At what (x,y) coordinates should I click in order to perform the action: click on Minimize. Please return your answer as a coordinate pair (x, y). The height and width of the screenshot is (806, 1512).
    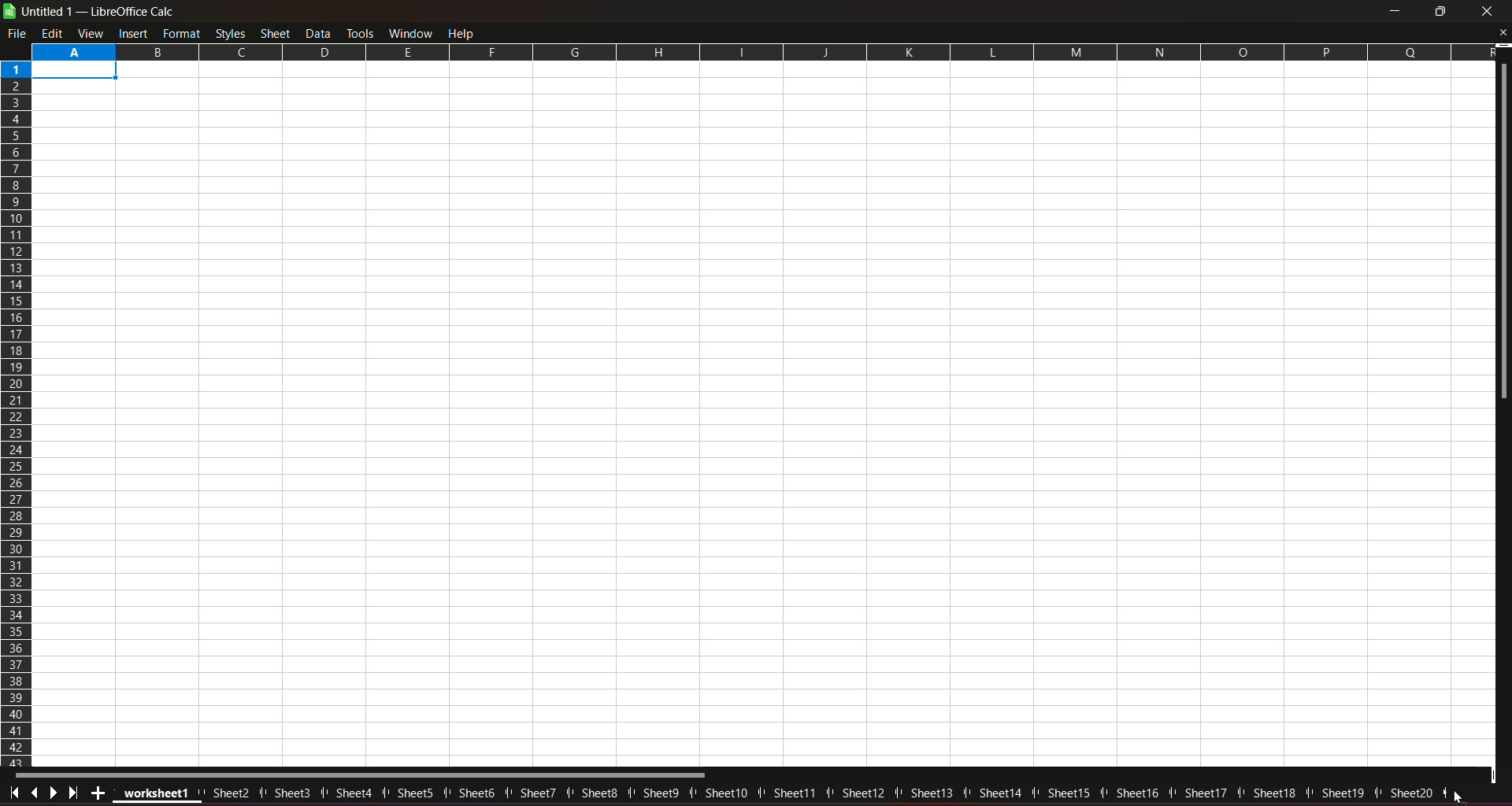
    Looking at the image, I should click on (1392, 12).